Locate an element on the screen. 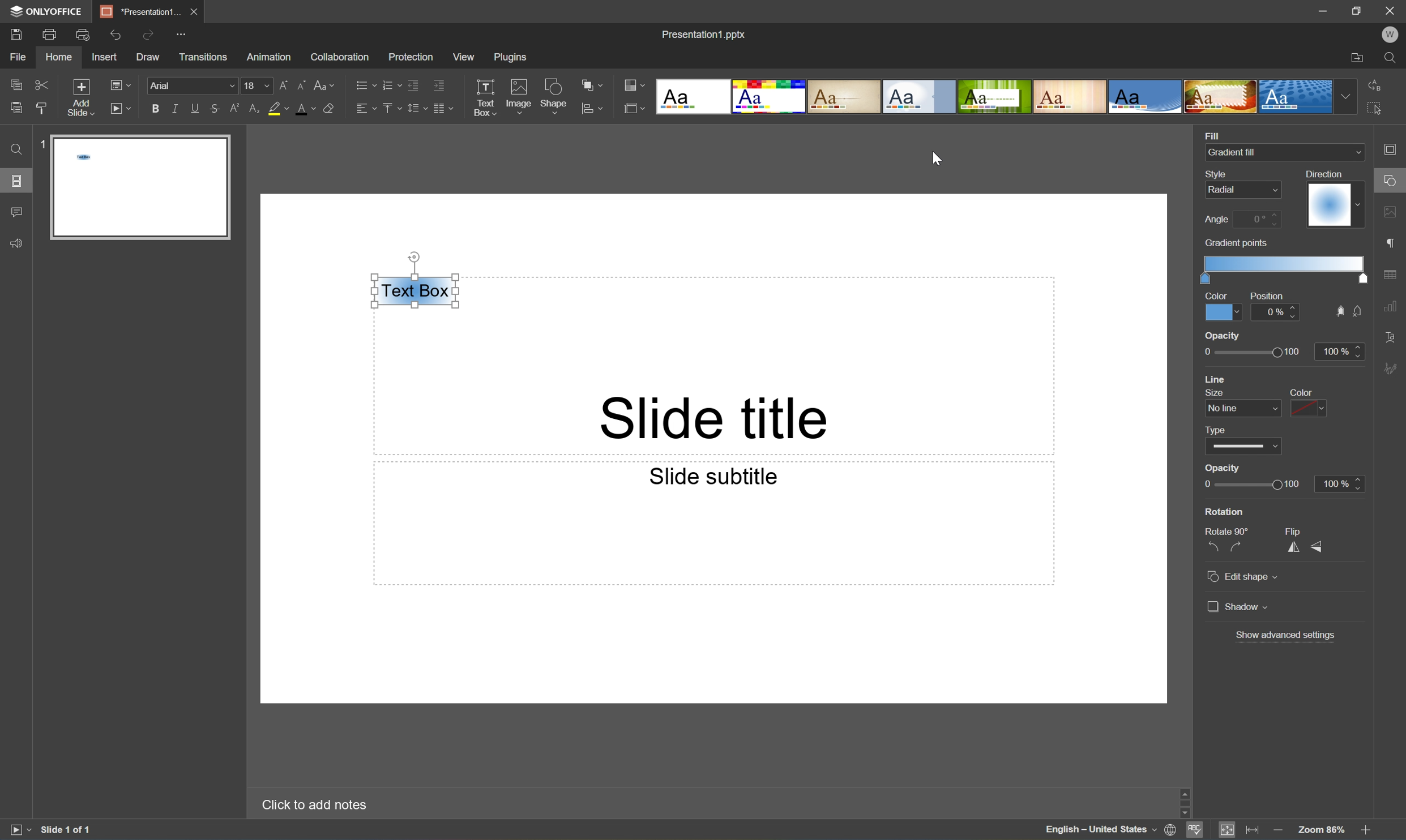  Opacity is located at coordinates (1223, 336).